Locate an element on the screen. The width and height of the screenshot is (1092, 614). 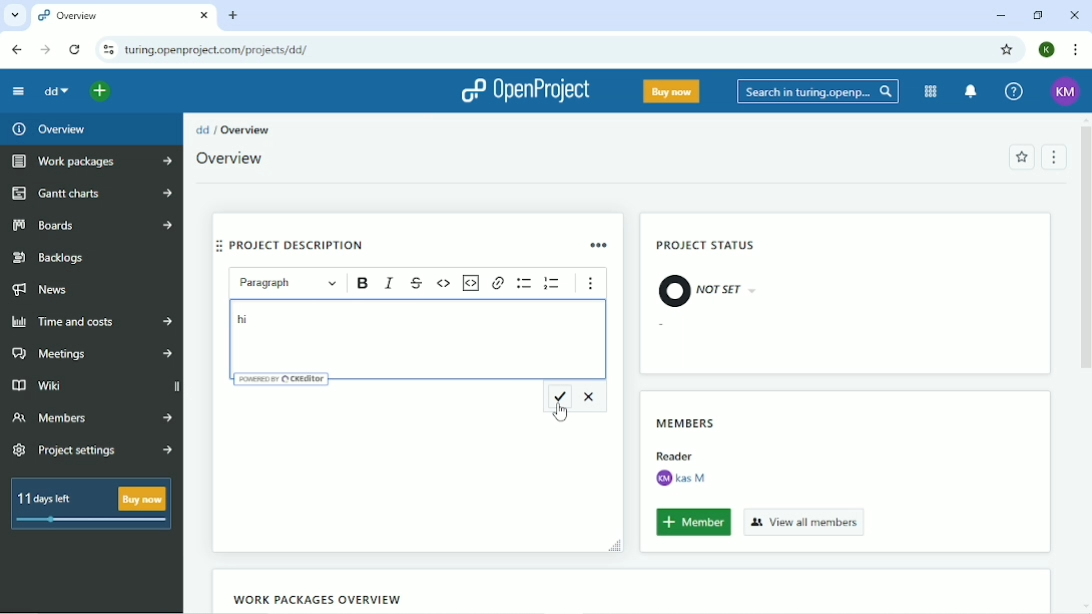
Forward is located at coordinates (45, 49).